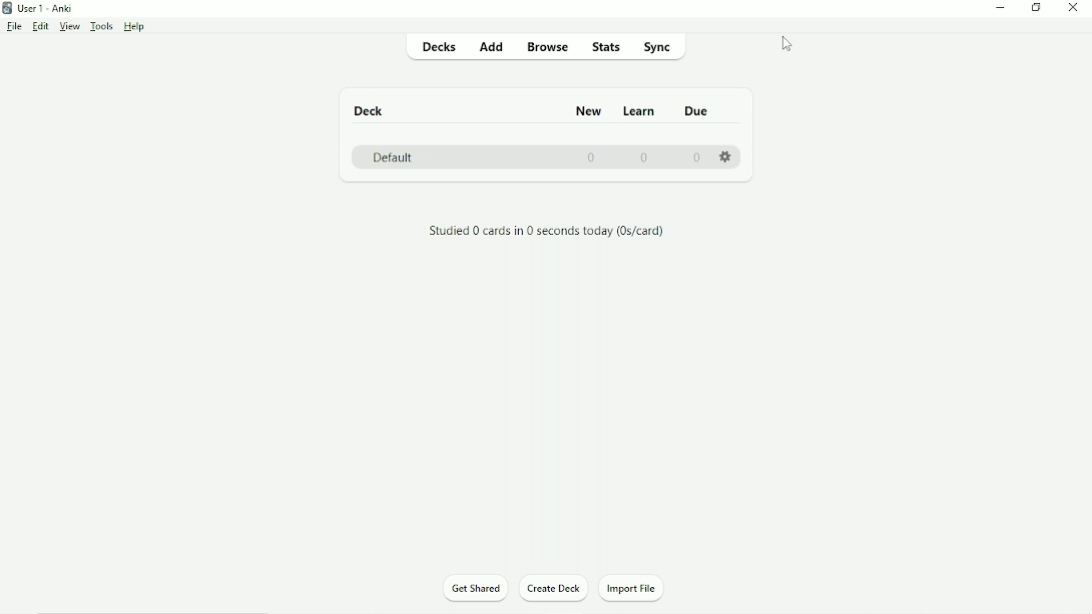 The height and width of the screenshot is (614, 1092). I want to click on Sync, so click(666, 46).